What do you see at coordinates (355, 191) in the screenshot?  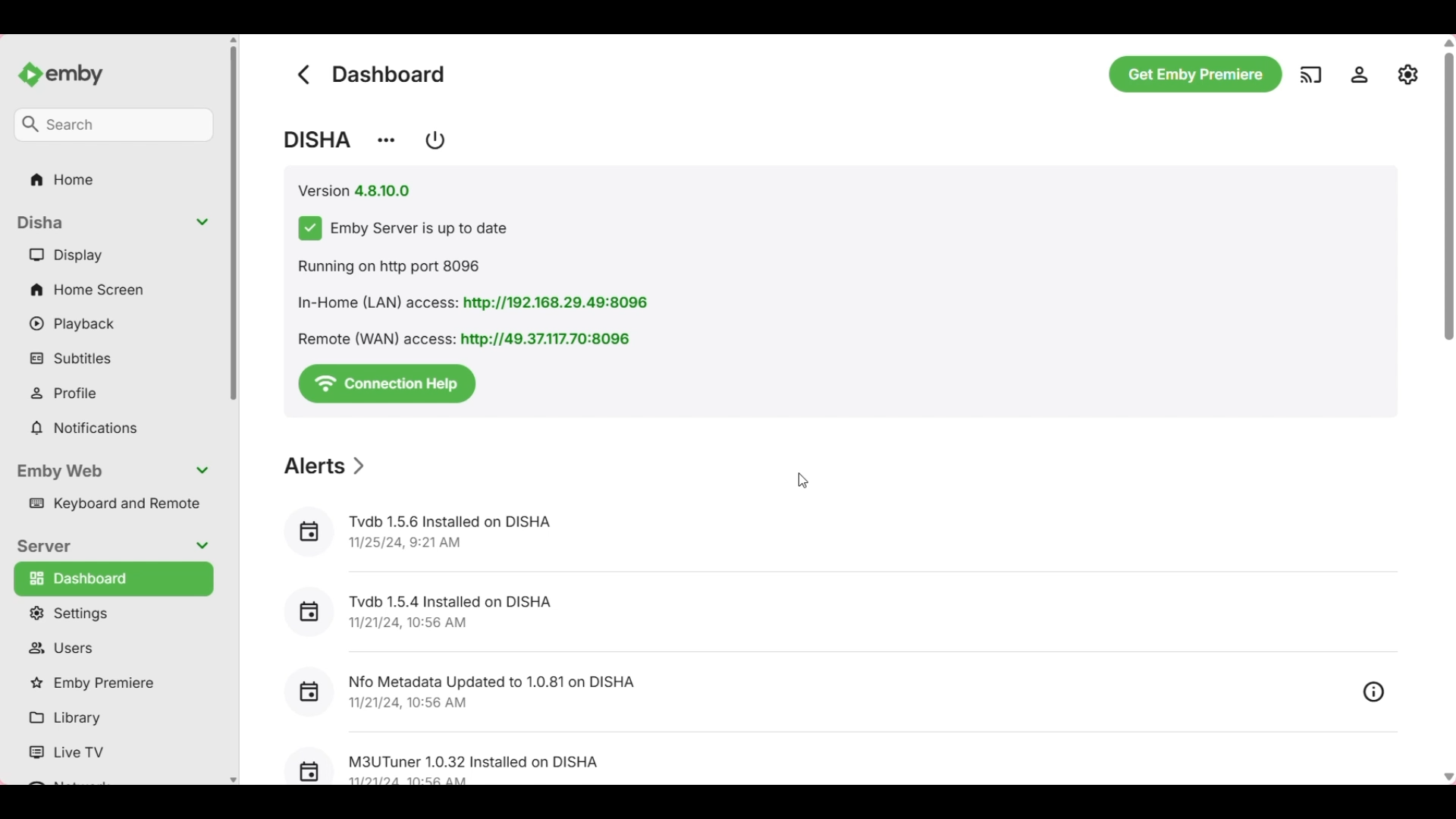 I see `Software version` at bounding box center [355, 191].